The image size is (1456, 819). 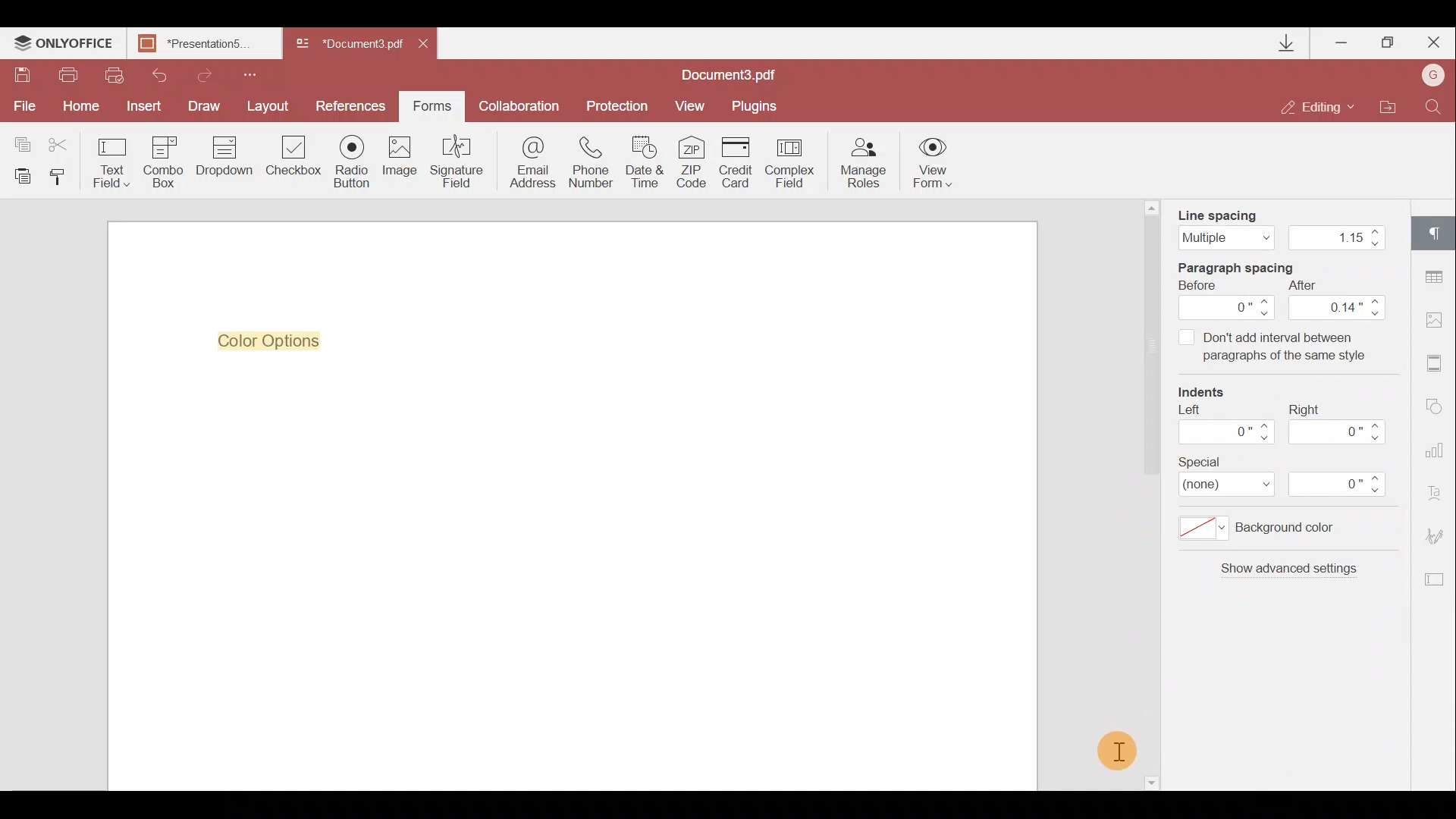 What do you see at coordinates (221, 165) in the screenshot?
I see `Dropdown` at bounding box center [221, 165].